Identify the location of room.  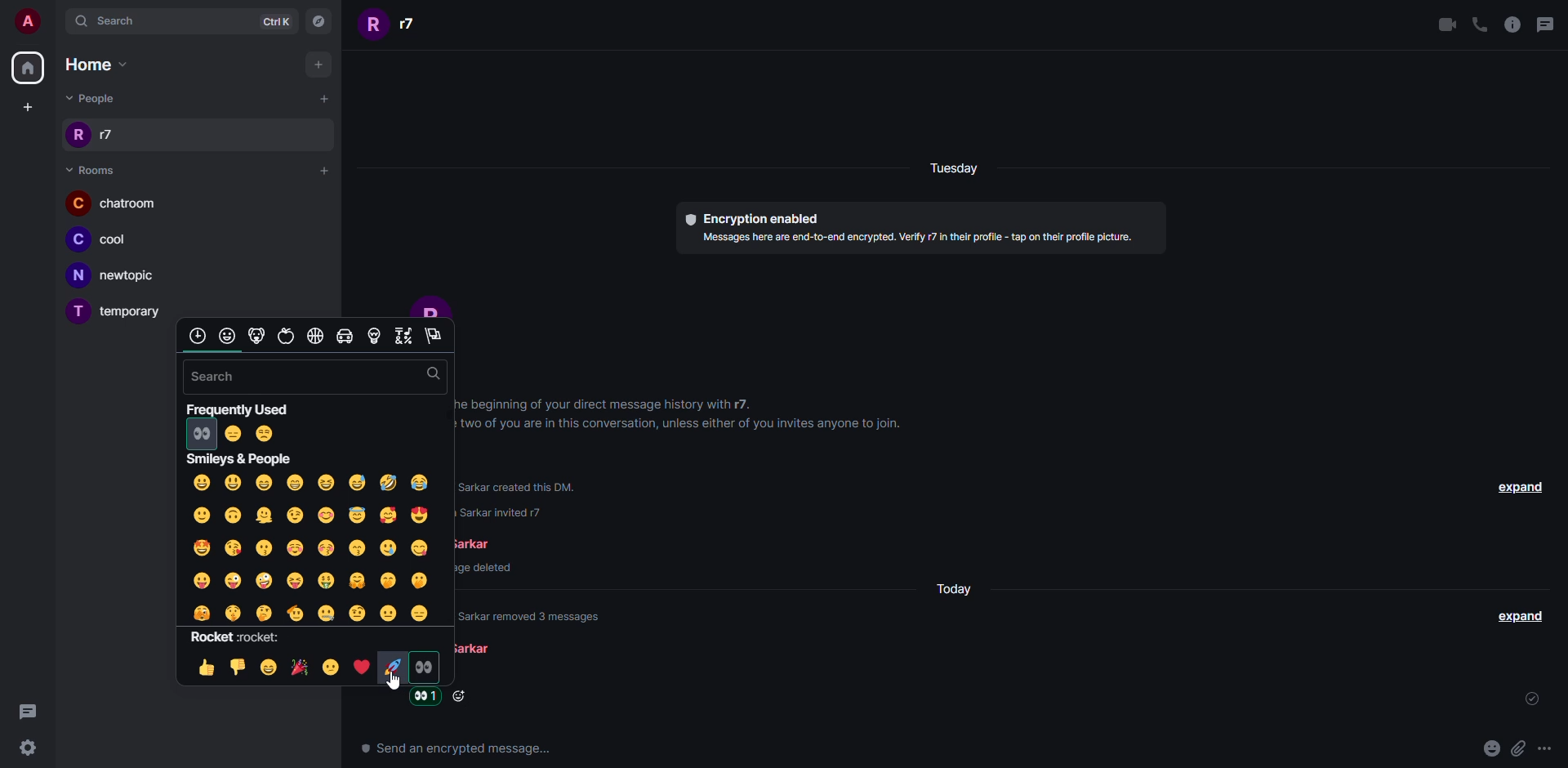
(119, 313).